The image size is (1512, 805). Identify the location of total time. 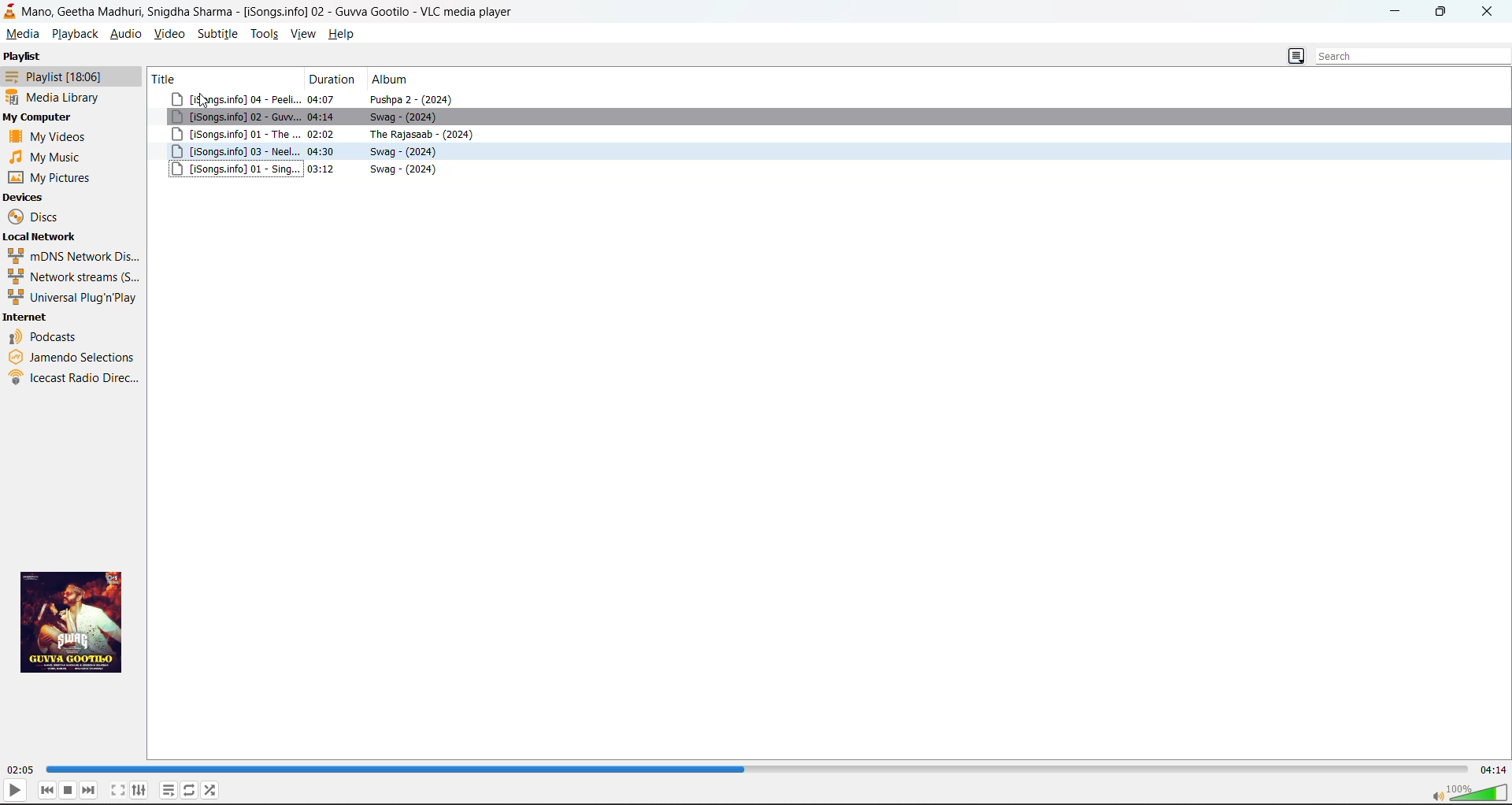
(1493, 770).